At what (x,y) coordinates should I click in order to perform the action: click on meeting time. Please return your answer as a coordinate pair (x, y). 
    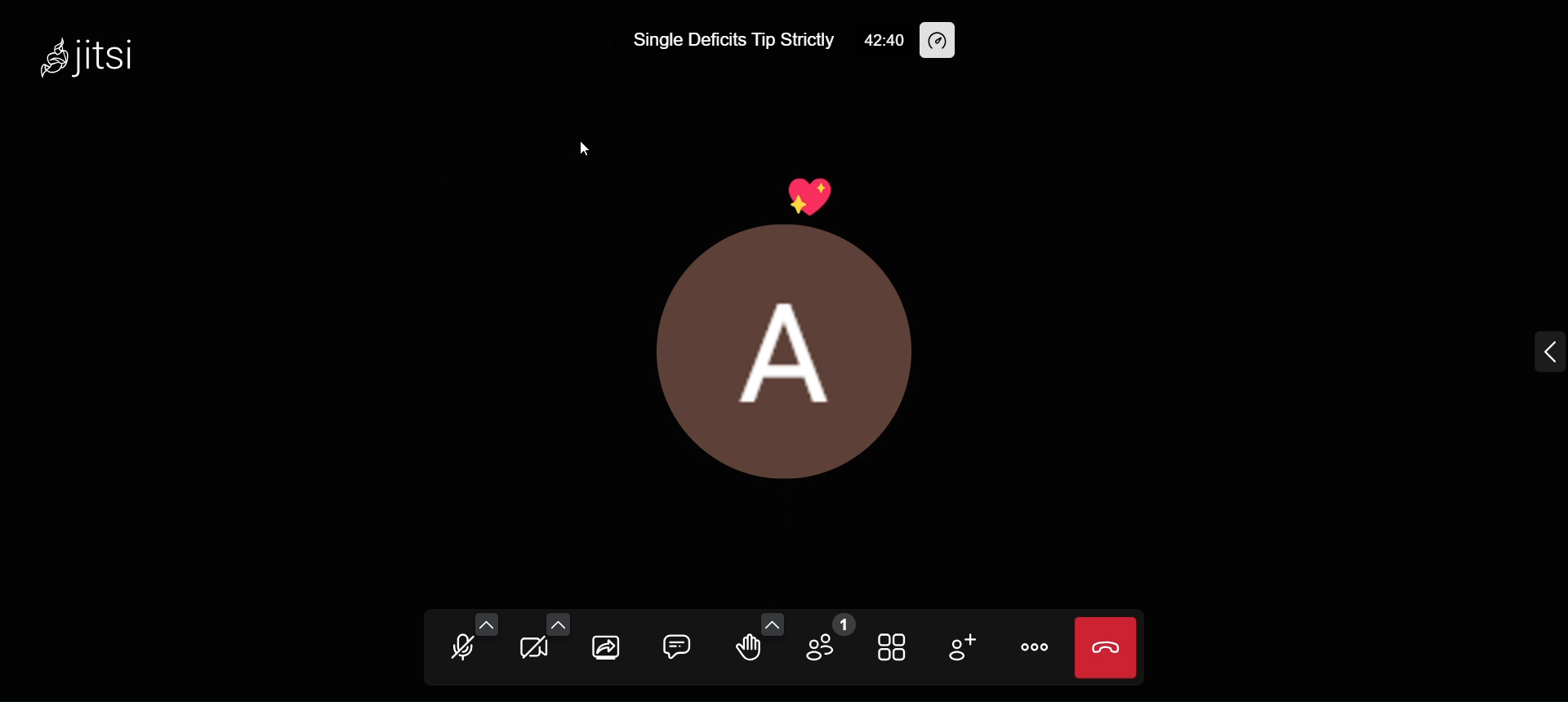
    Looking at the image, I should click on (880, 40).